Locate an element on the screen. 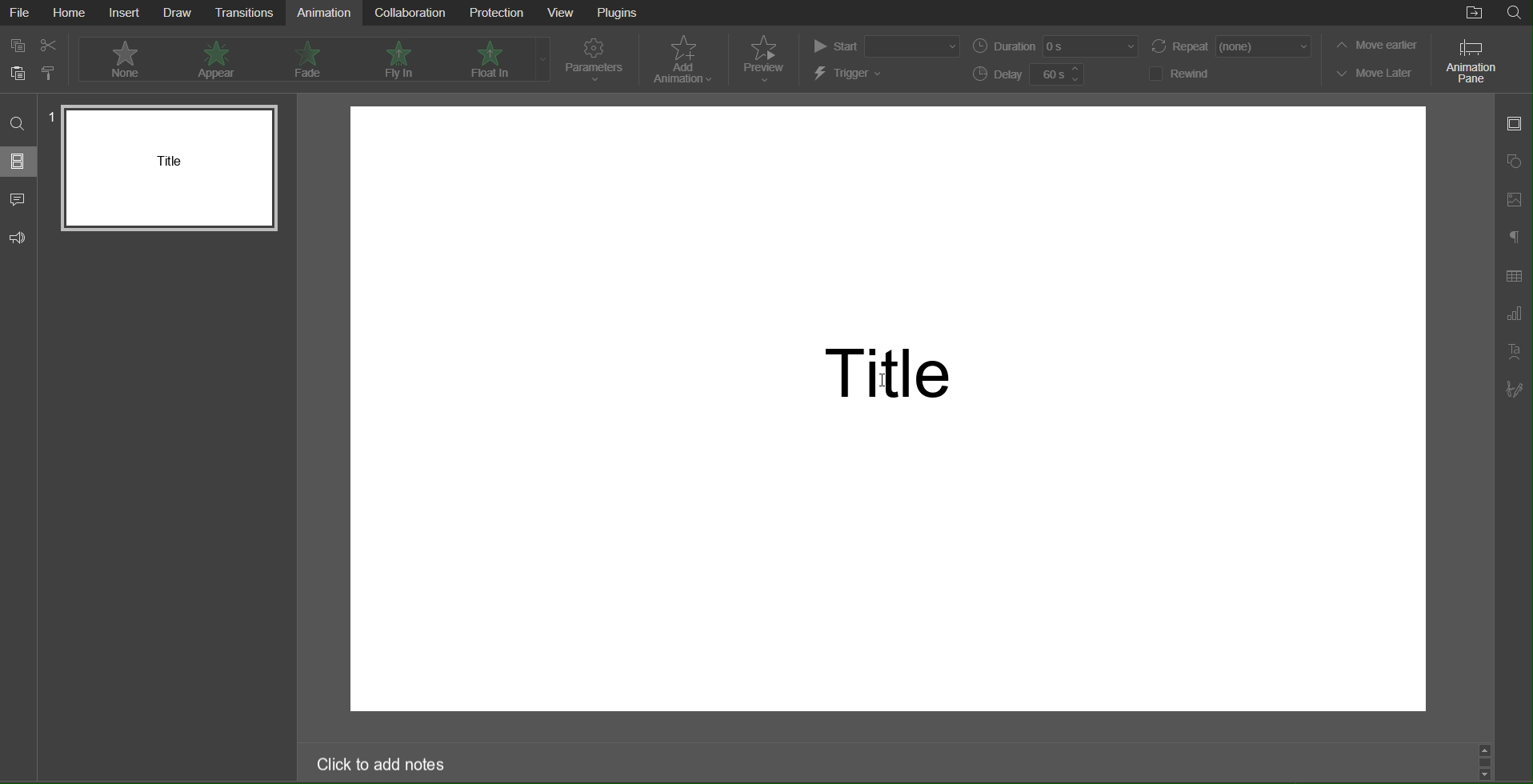  Image Settings is located at coordinates (1515, 201).